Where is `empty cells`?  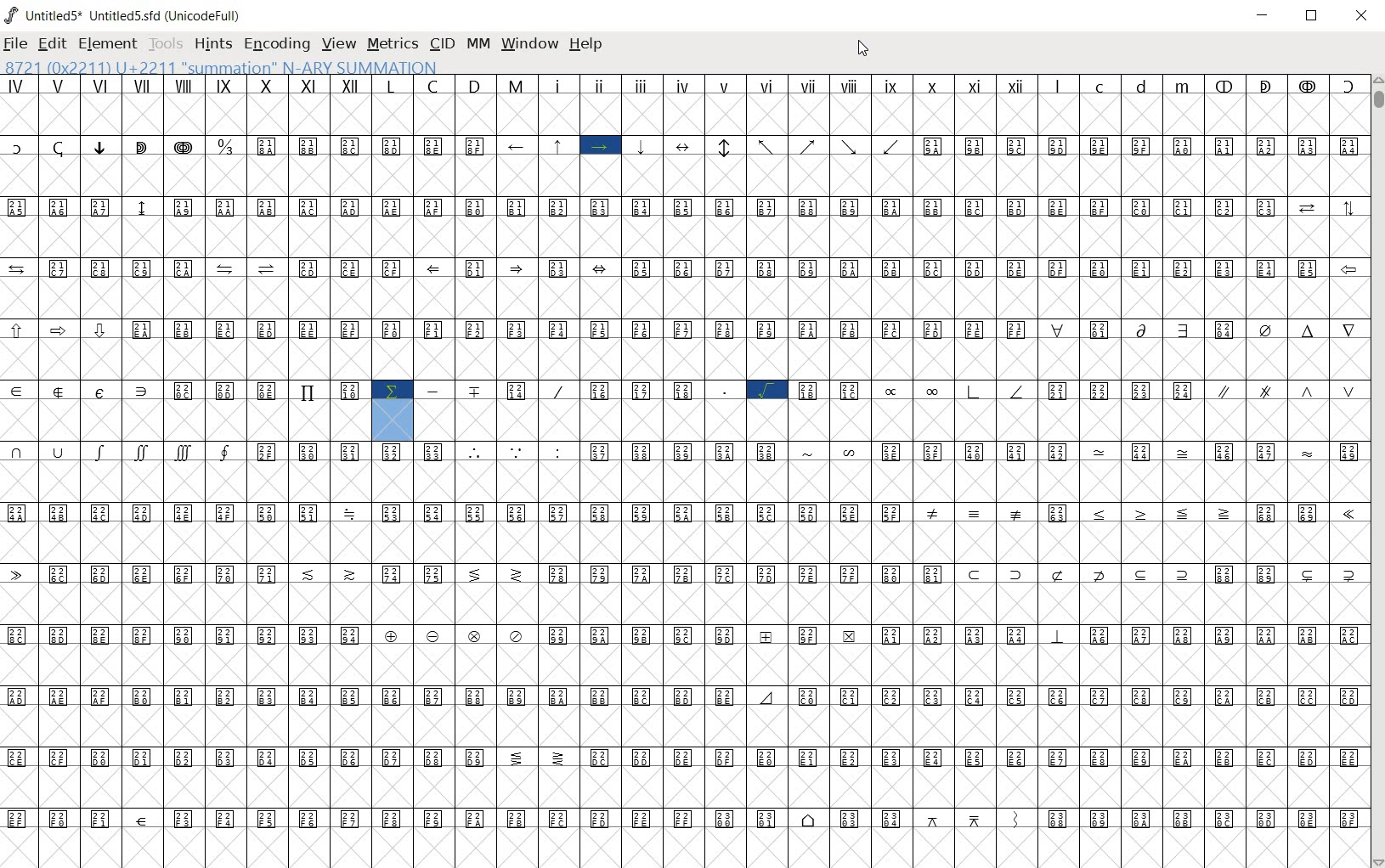 empty cells is located at coordinates (687, 237).